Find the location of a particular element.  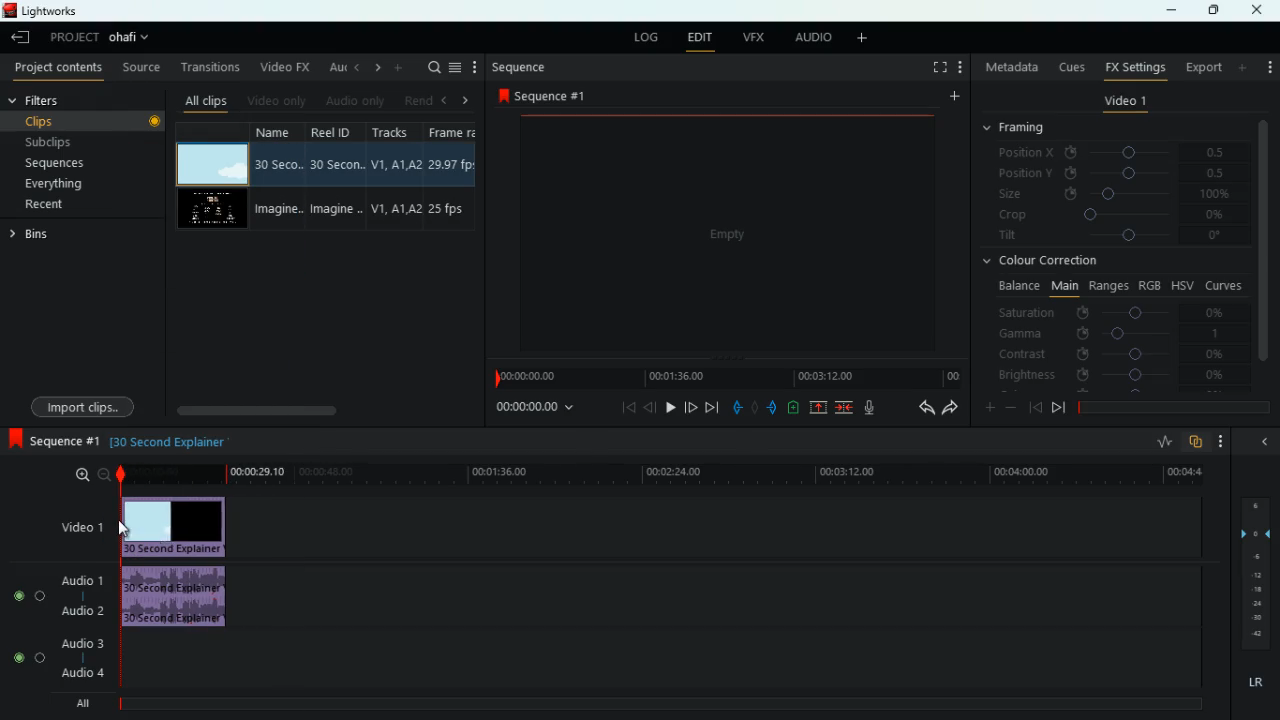

subclips is located at coordinates (78, 140).